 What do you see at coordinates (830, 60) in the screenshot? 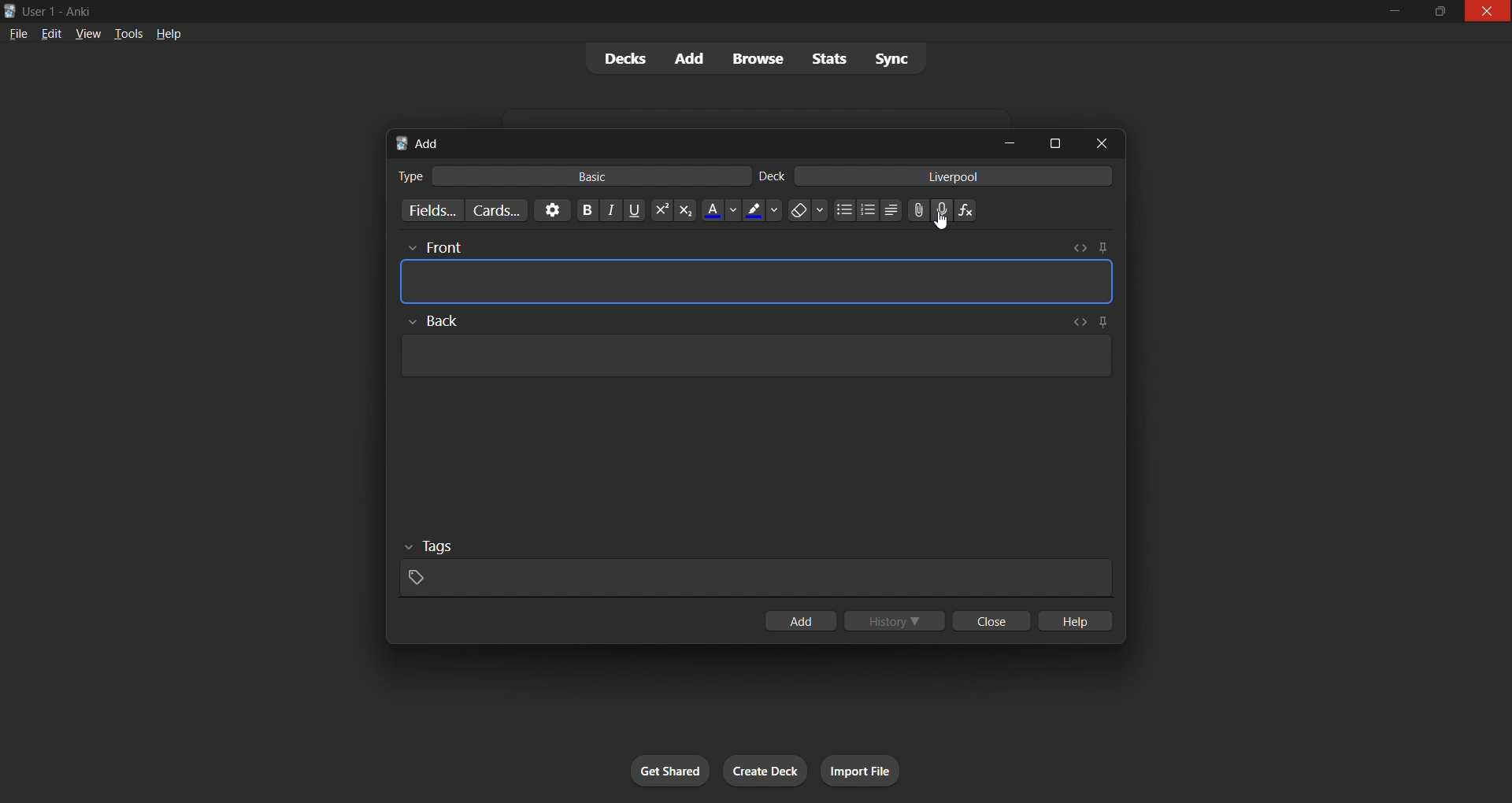
I see `stats` at bounding box center [830, 60].